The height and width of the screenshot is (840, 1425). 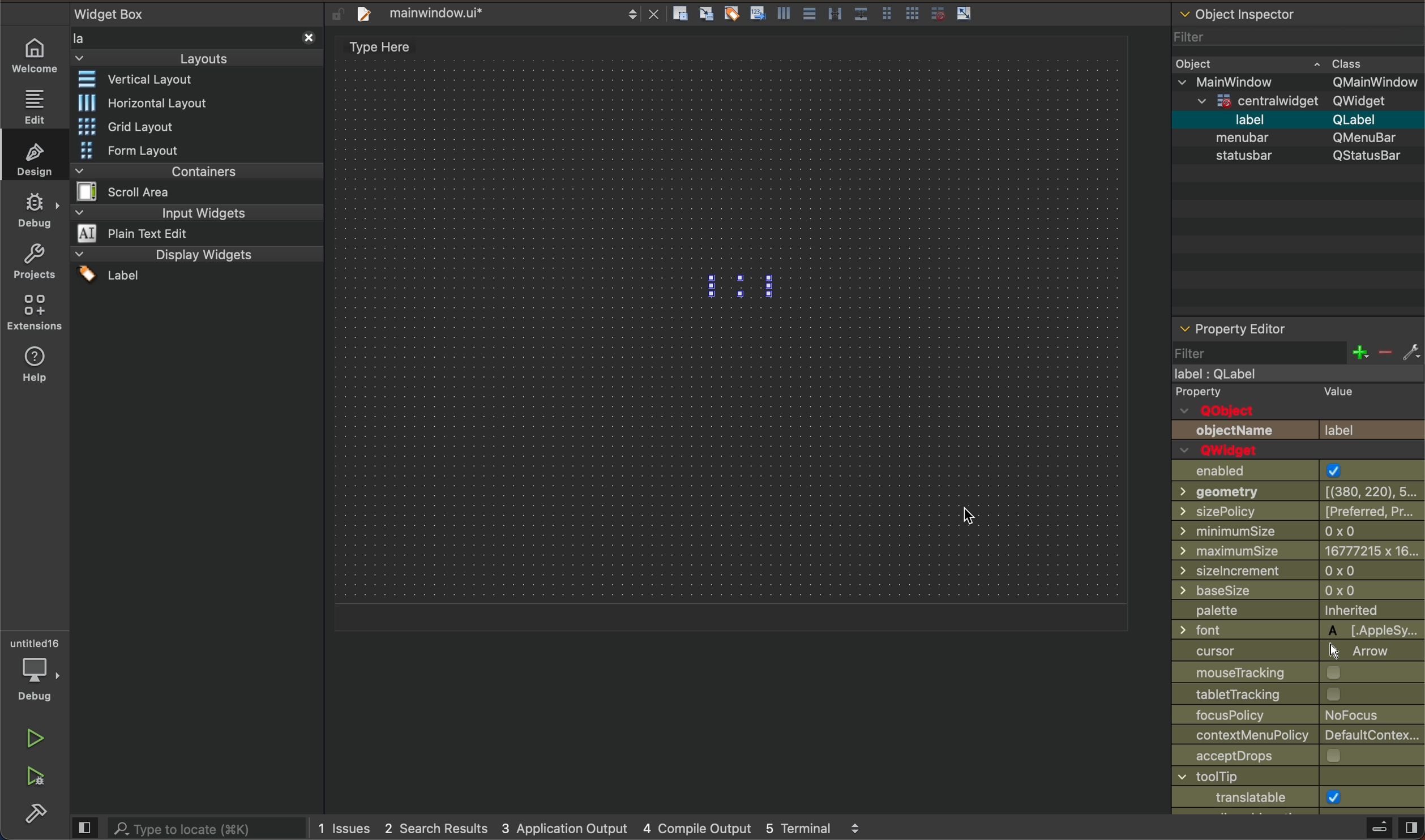 What do you see at coordinates (192, 181) in the screenshot?
I see `containers` at bounding box center [192, 181].